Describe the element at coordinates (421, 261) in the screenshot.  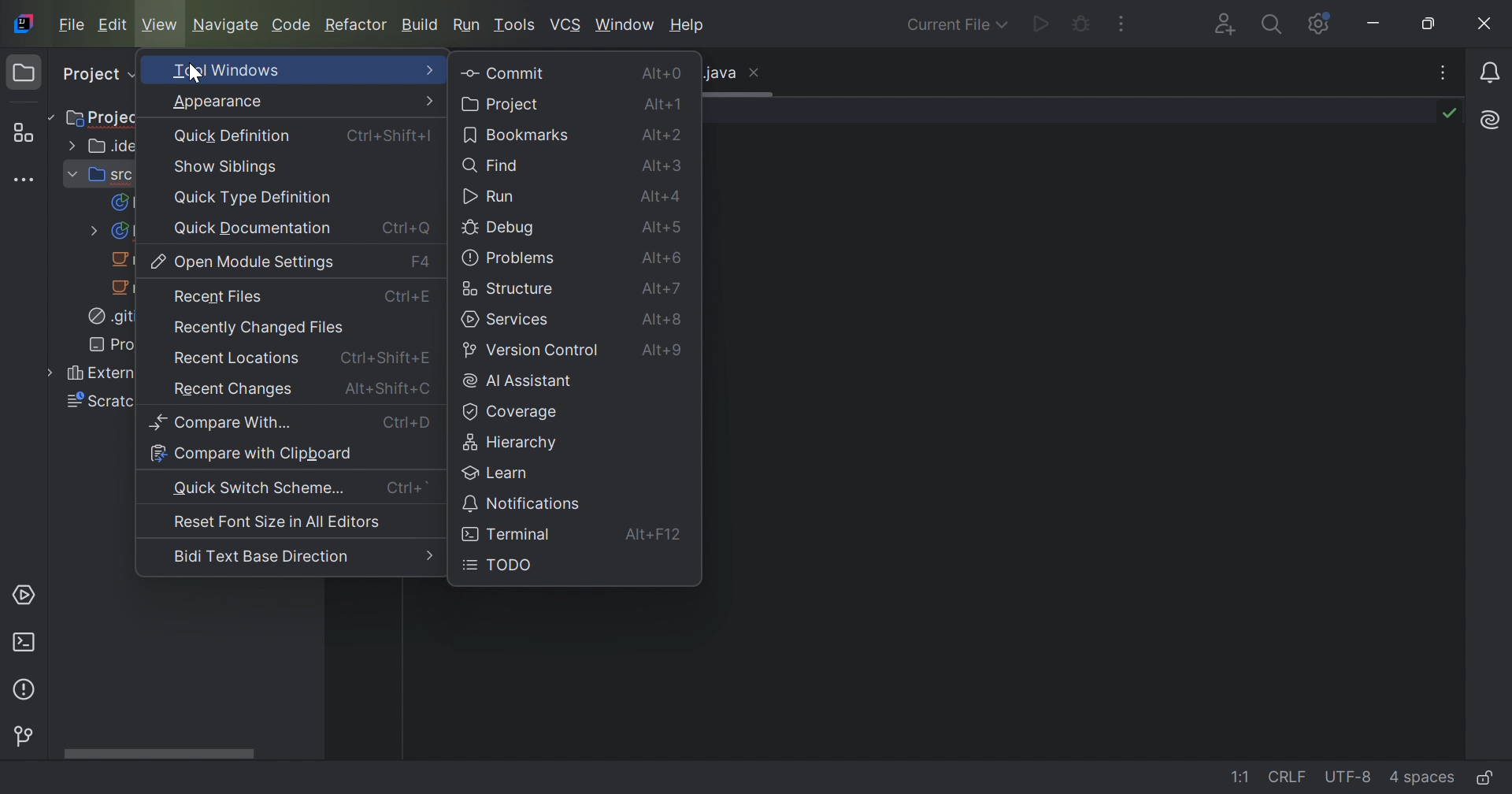
I see `F4` at that location.